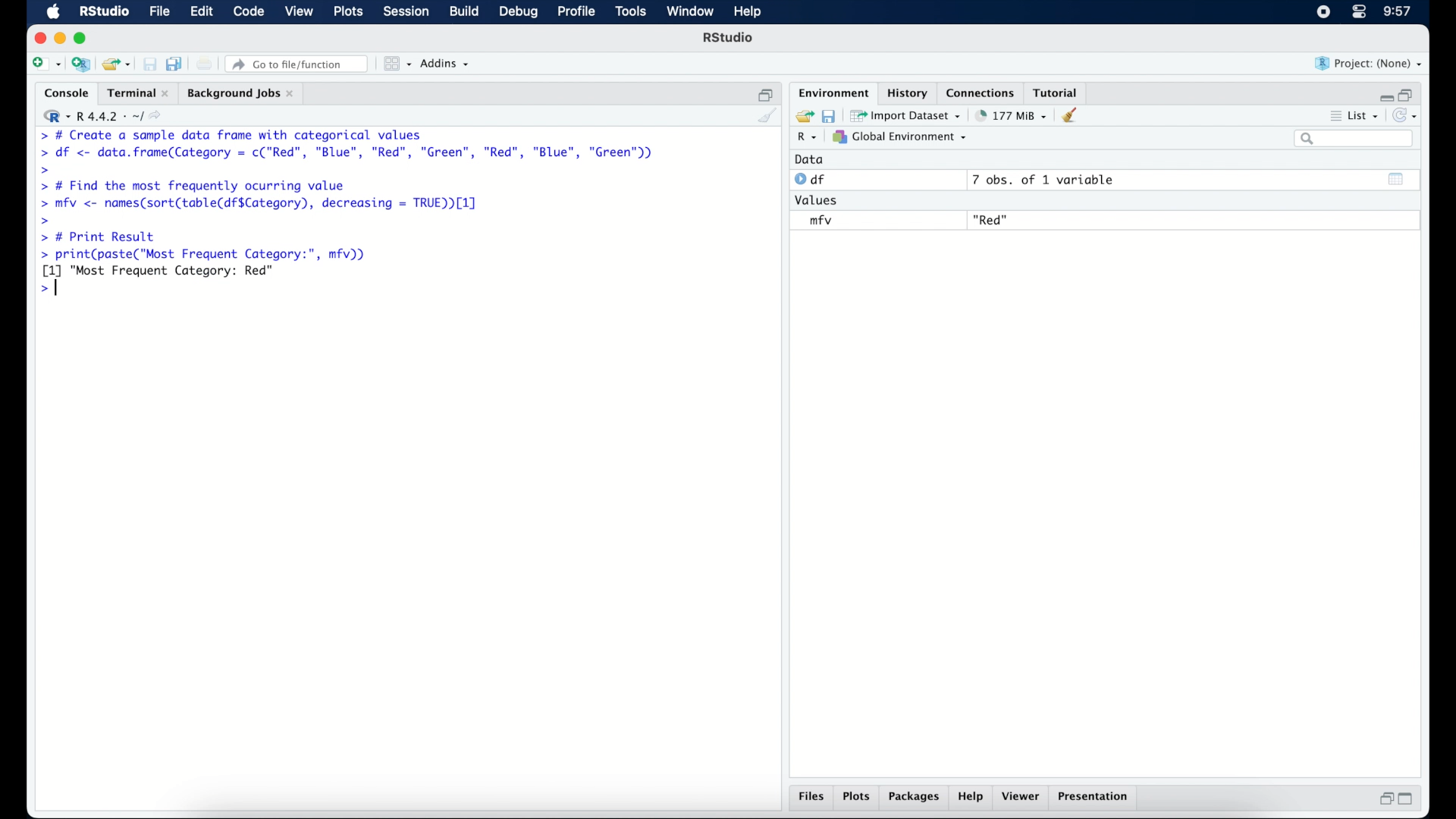  Describe the element at coordinates (397, 64) in the screenshot. I see `workspace panes` at that location.